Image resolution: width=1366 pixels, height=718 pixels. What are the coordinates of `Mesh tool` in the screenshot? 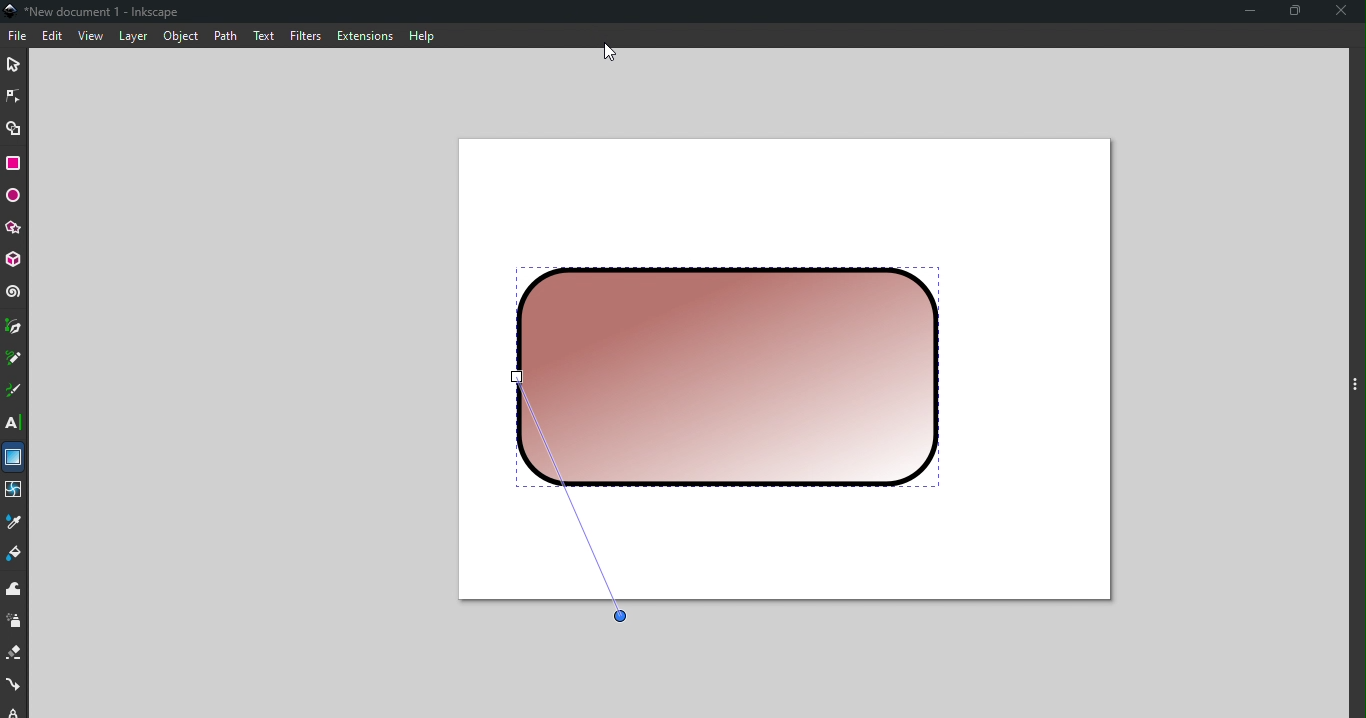 It's located at (14, 492).